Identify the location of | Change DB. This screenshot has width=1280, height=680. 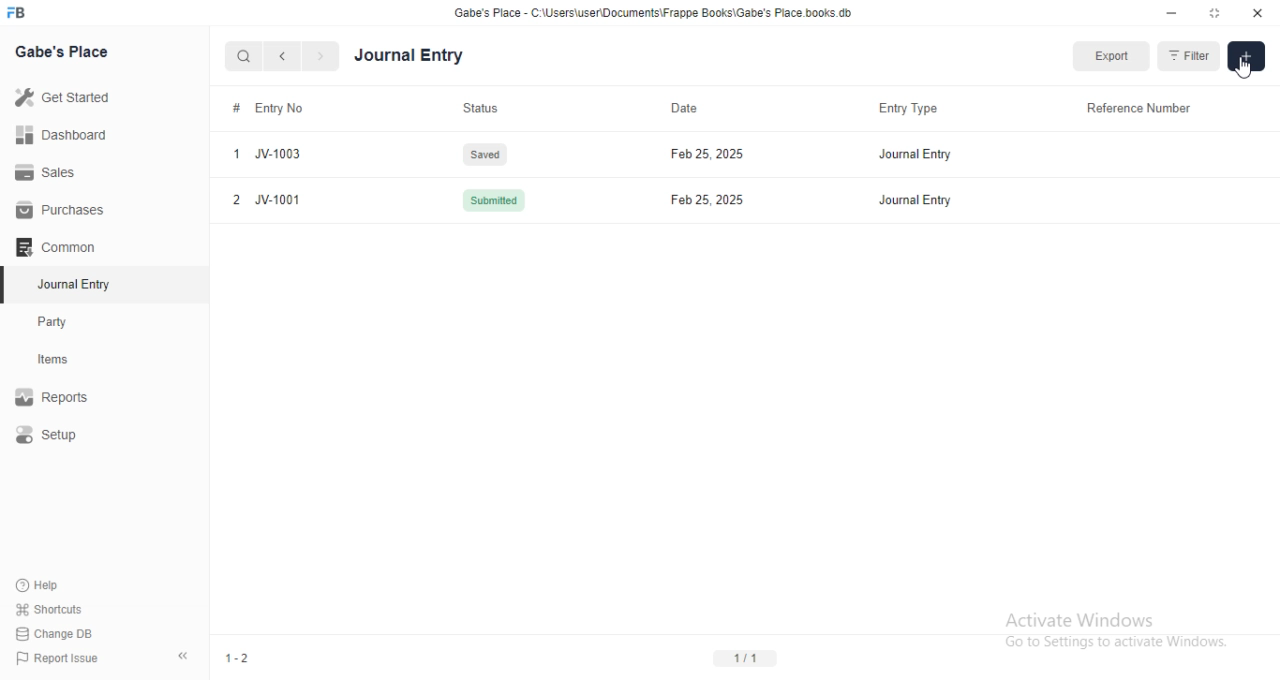
(55, 632).